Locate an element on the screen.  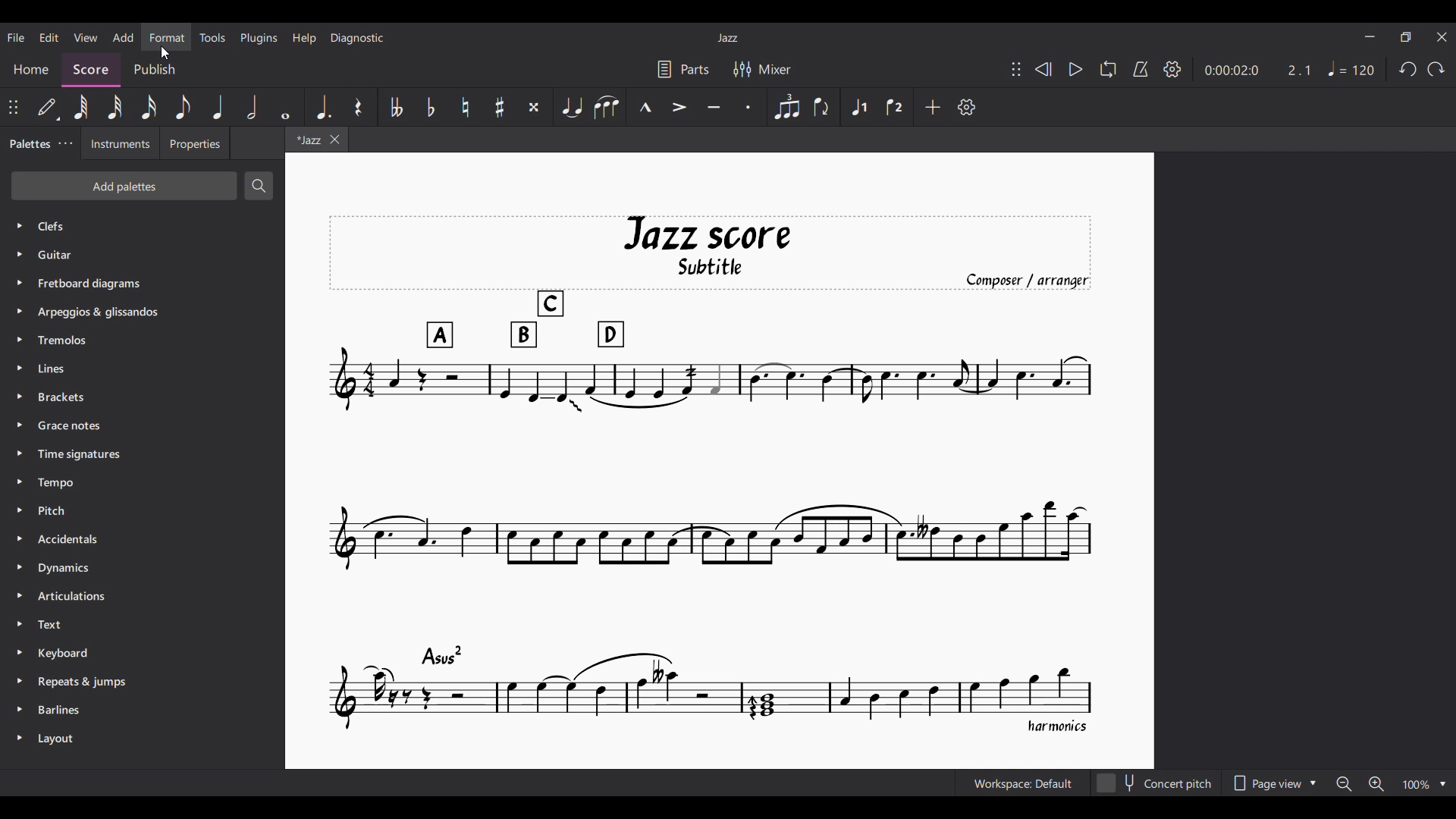
Duration and ratio is located at coordinates (1258, 71).